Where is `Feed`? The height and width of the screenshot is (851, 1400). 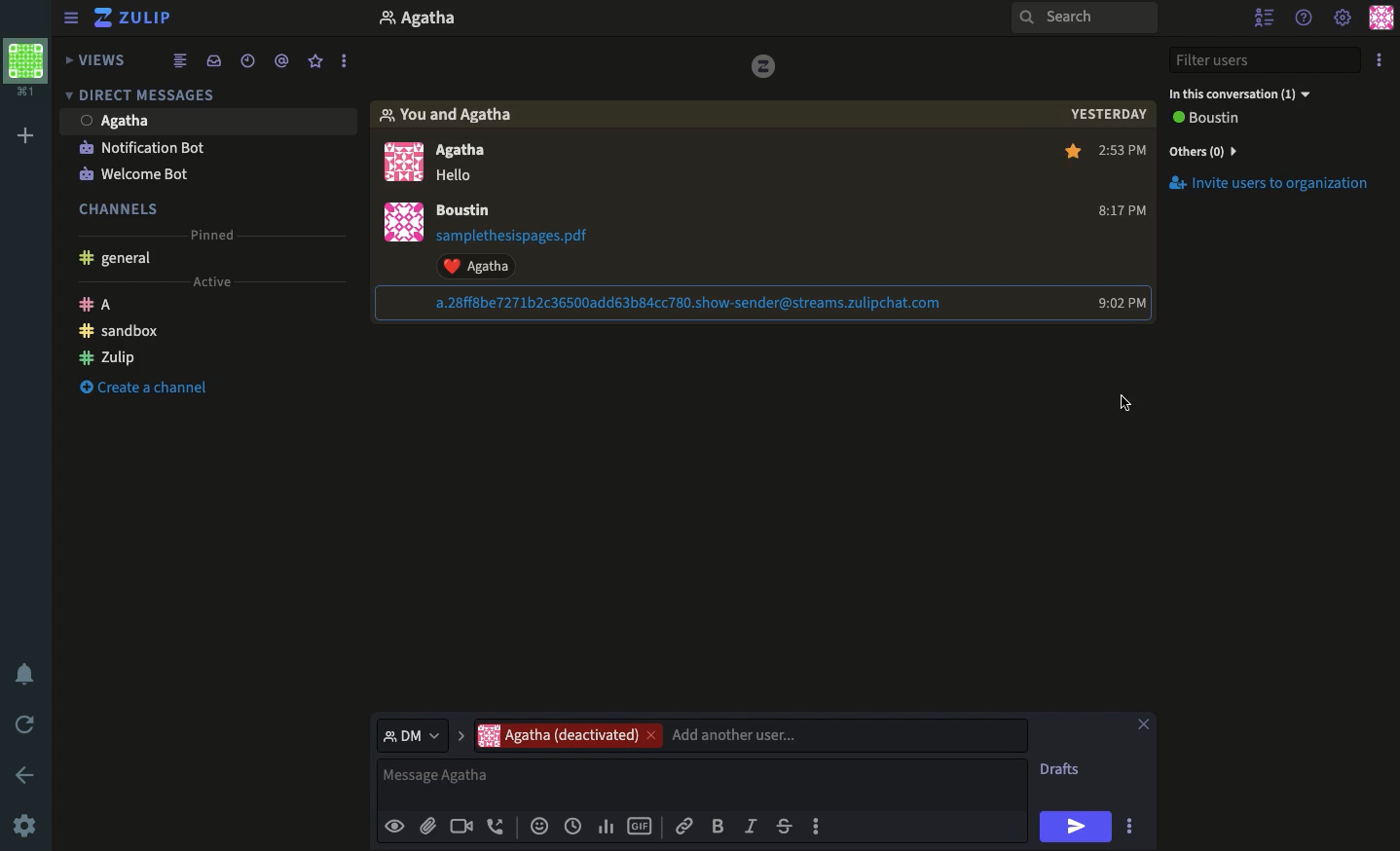
Feed is located at coordinates (182, 61).